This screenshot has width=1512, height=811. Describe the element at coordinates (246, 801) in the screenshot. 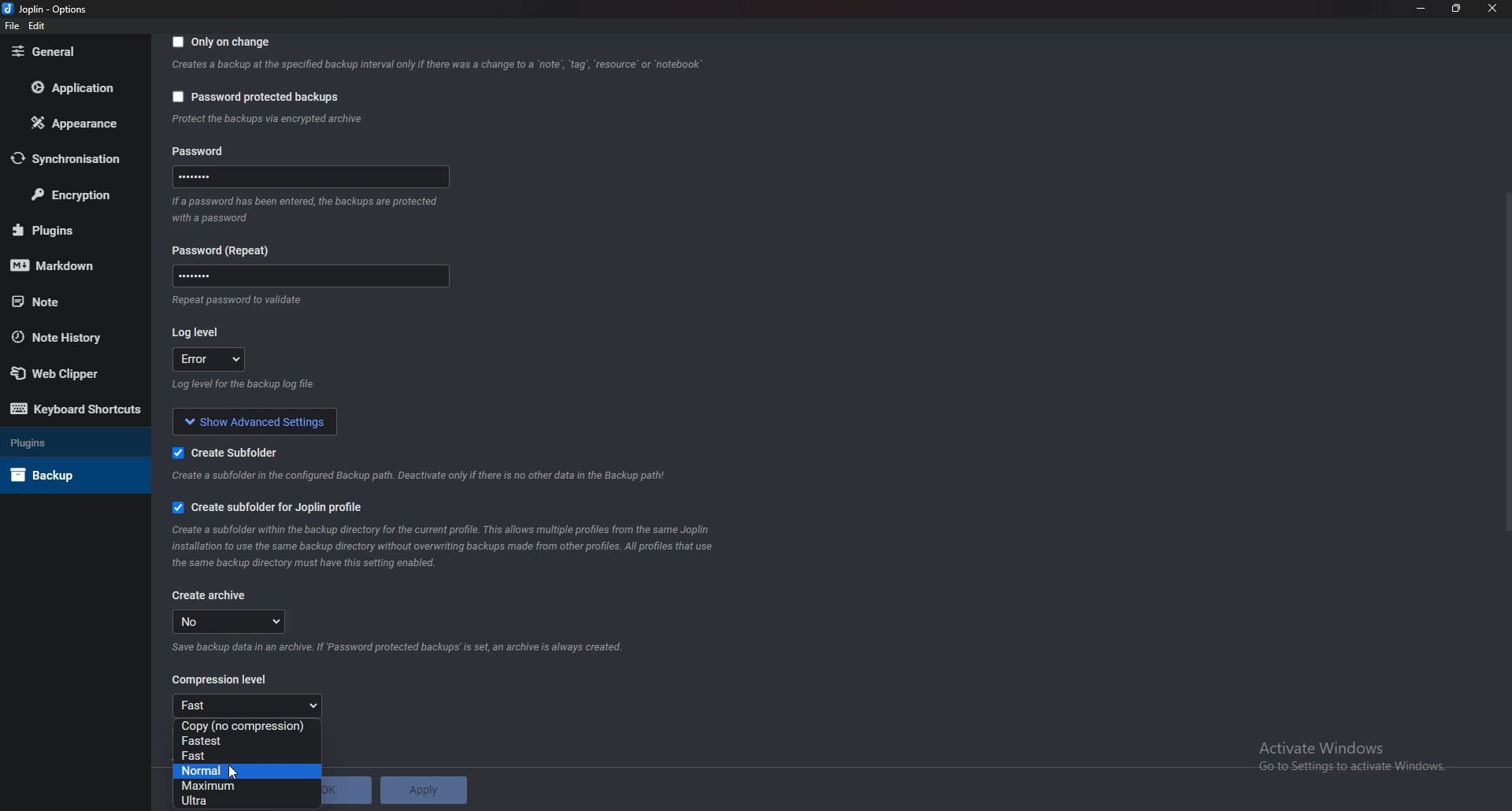

I see `` at that location.